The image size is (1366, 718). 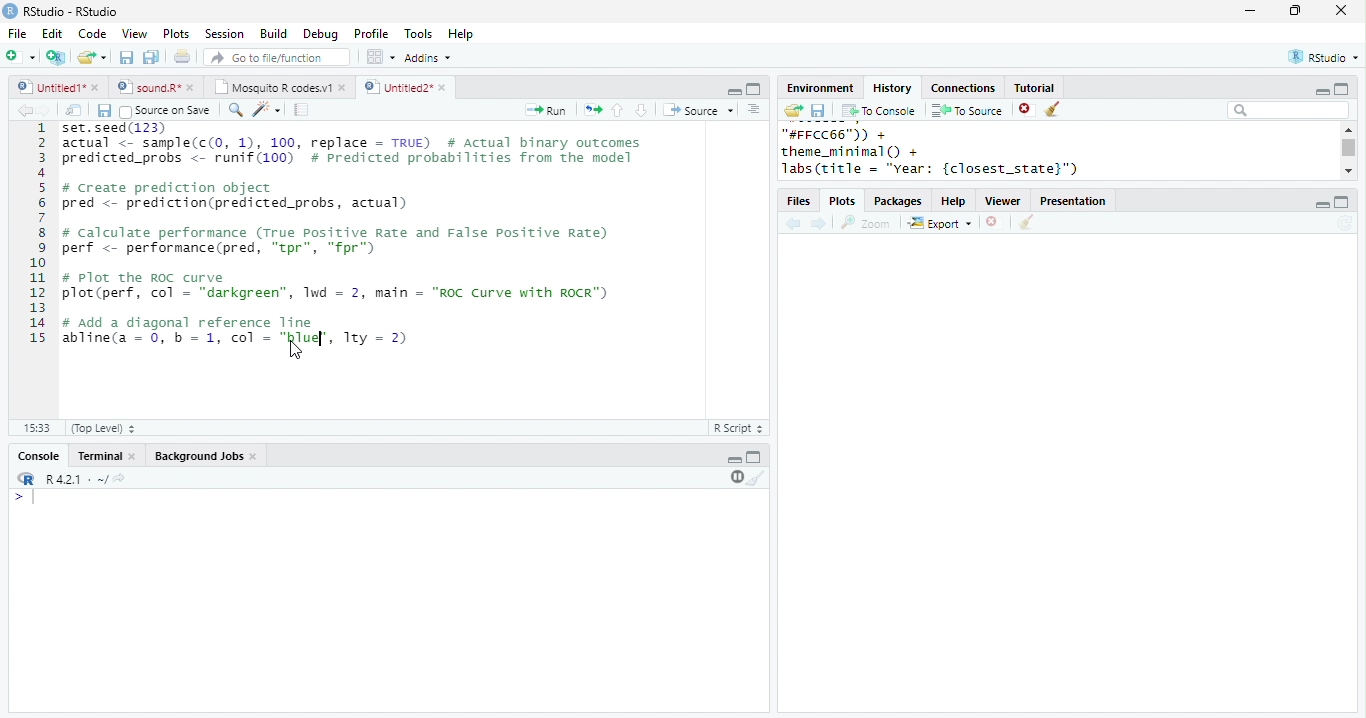 What do you see at coordinates (1073, 201) in the screenshot?
I see `Presentation` at bounding box center [1073, 201].